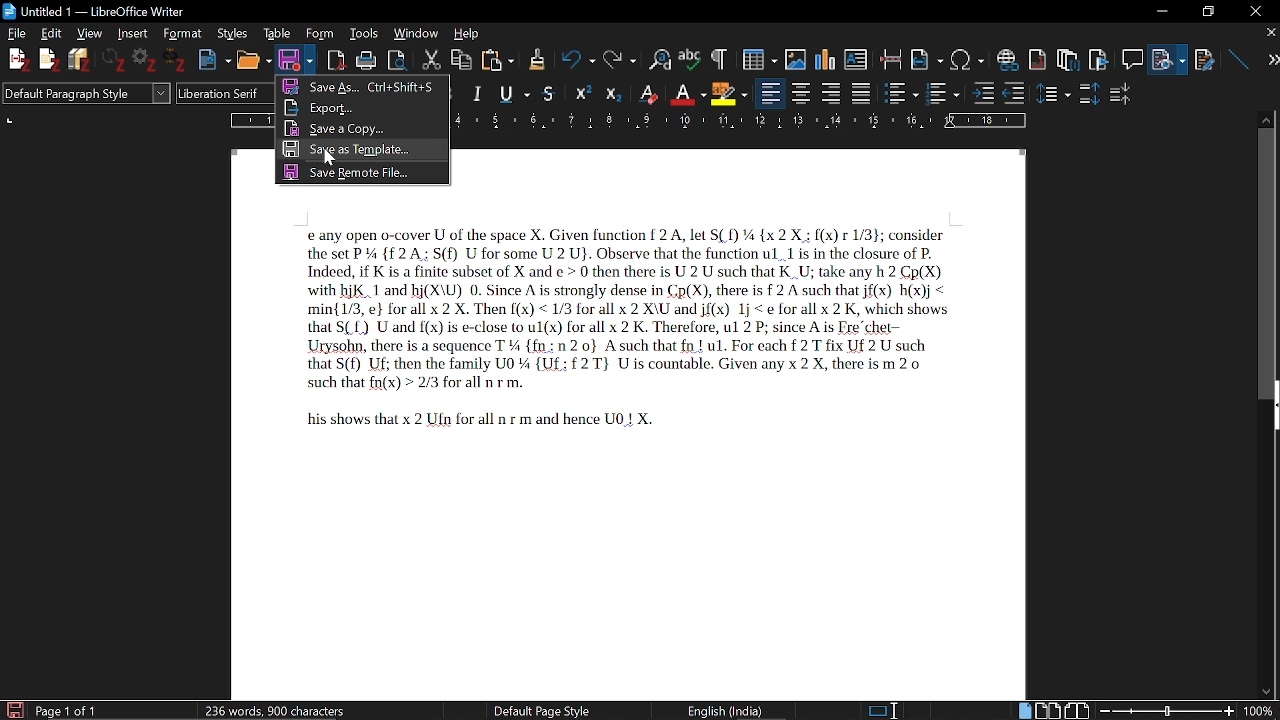 The width and height of the screenshot is (1280, 720). I want to click on outline format options, so click(1019, 93).